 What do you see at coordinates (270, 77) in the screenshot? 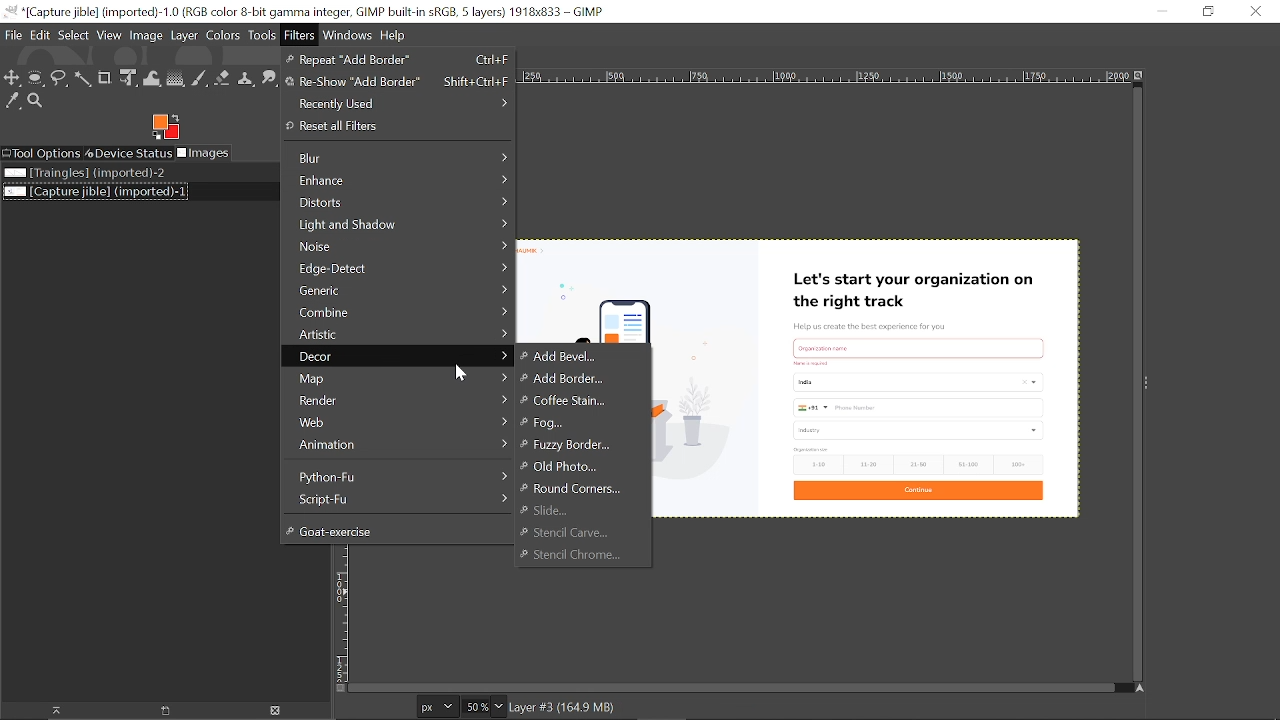
I see `Smudge too` at bounding box center [270, 77].